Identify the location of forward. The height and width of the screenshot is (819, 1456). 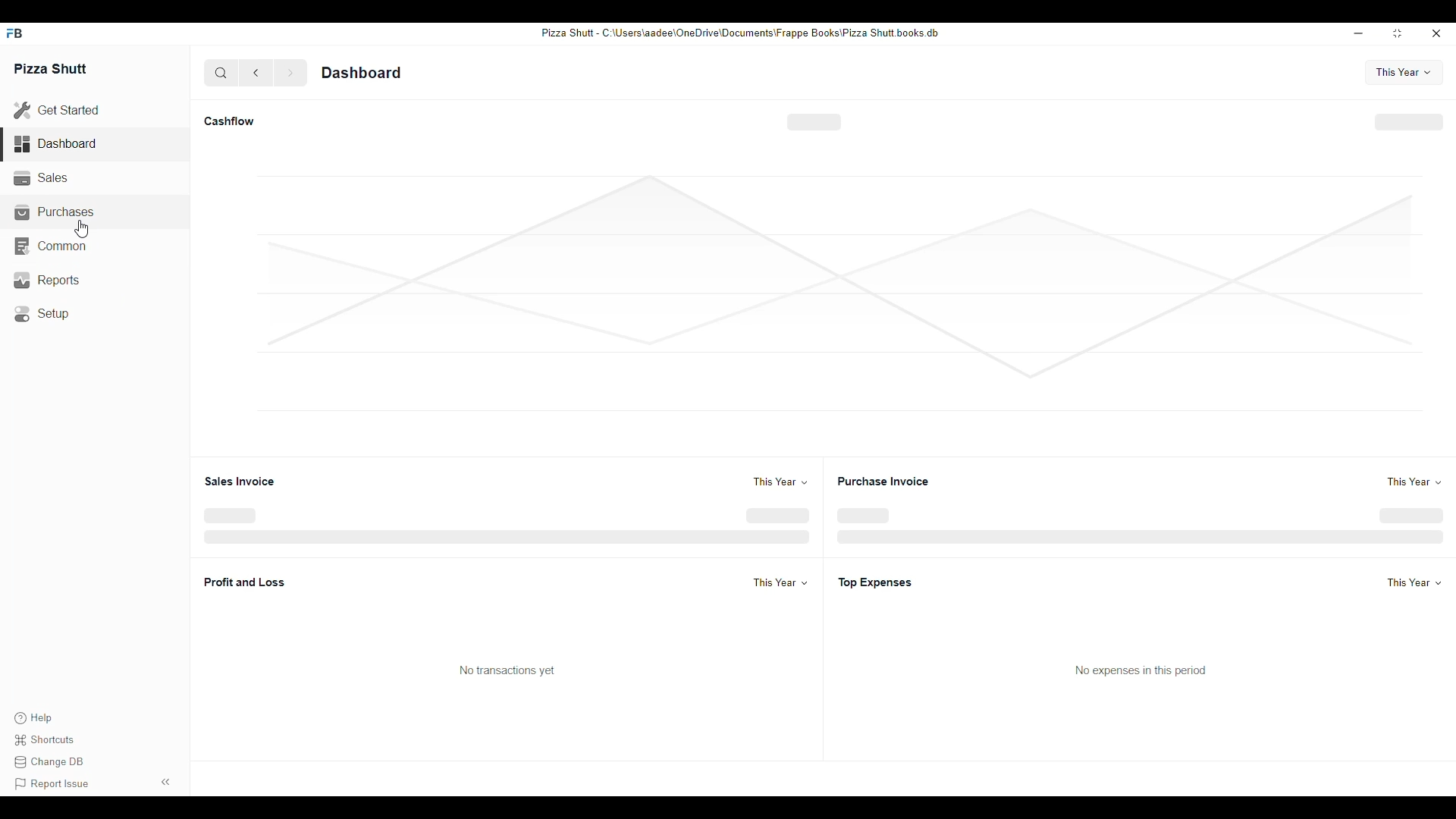
(290, 73).